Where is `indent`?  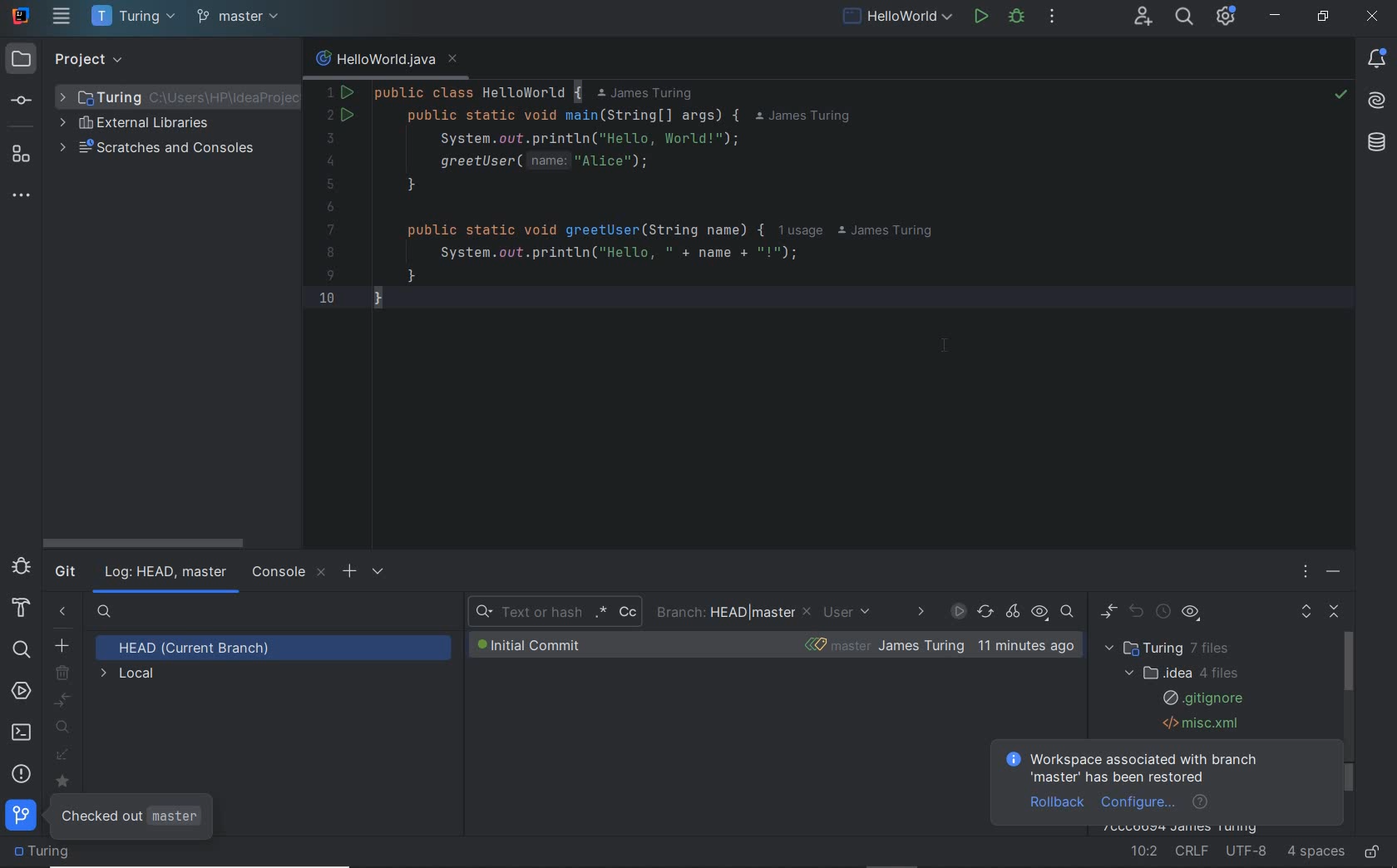 indent is located at coordinates (1316, 852).